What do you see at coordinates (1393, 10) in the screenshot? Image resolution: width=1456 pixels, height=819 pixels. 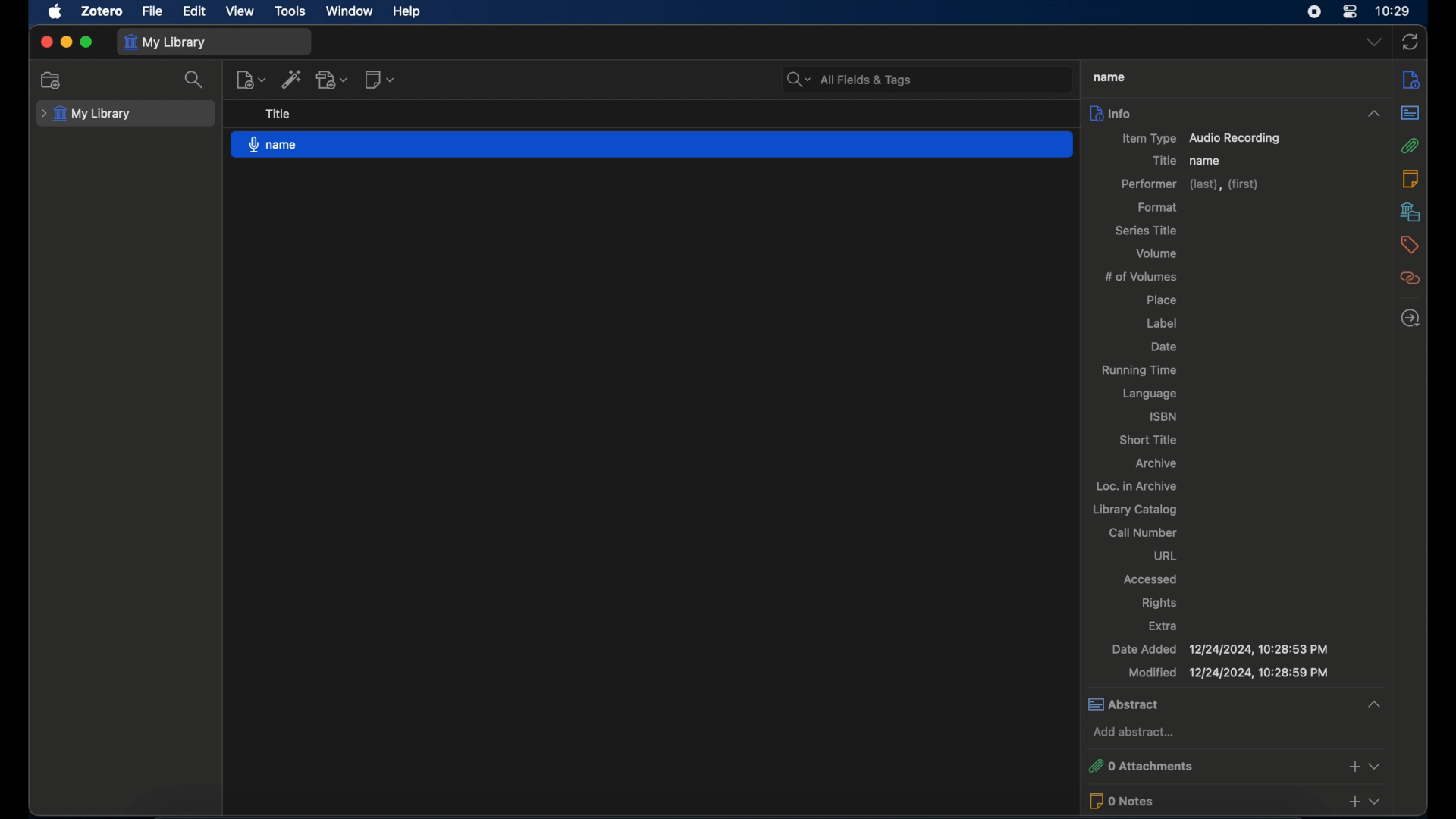 I see `time` at bounding box center [1393, 10].